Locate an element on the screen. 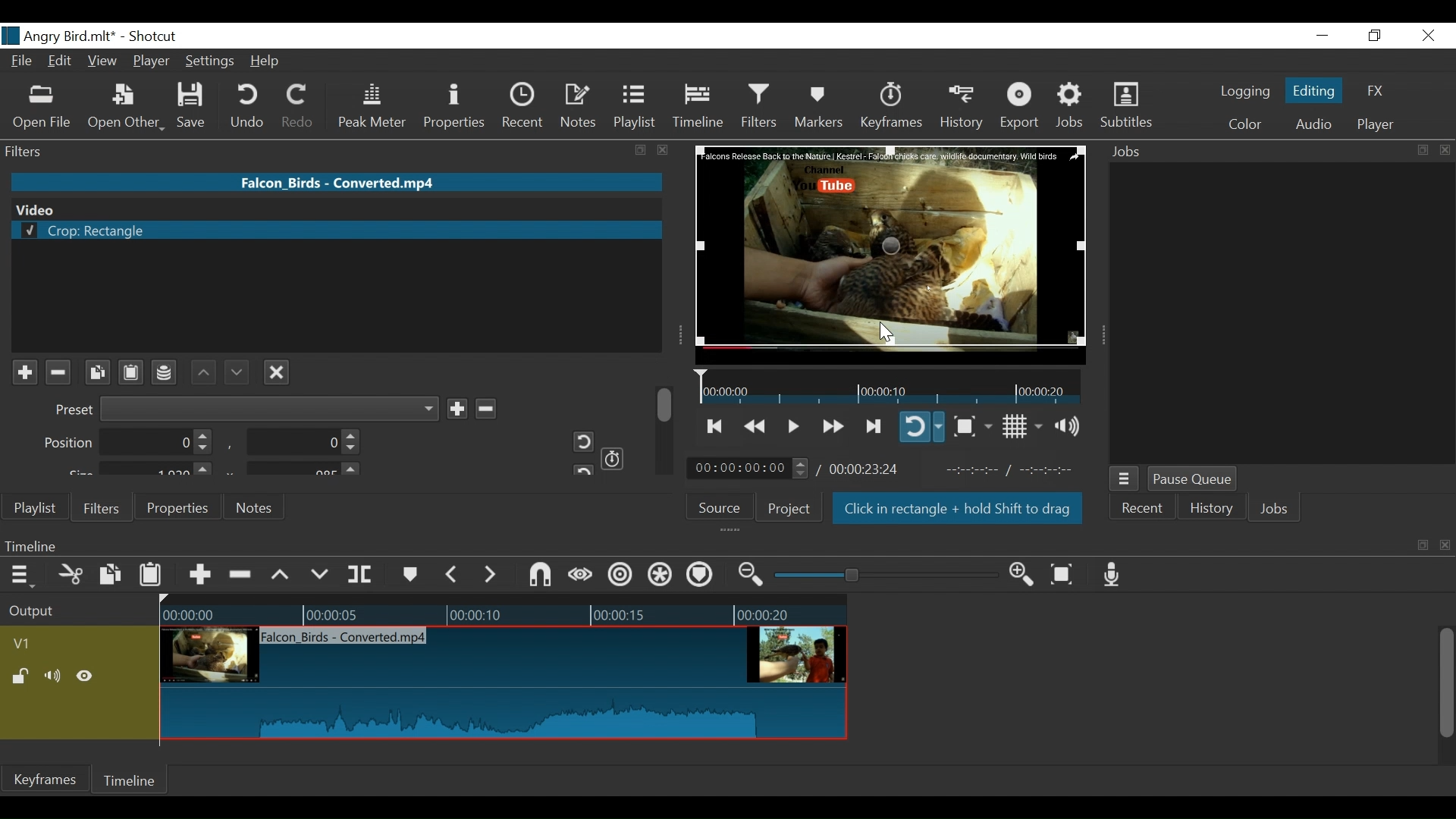 The height and width of the screenshot is (819, 1456). Previous marker is located at coordinates (452, 574).